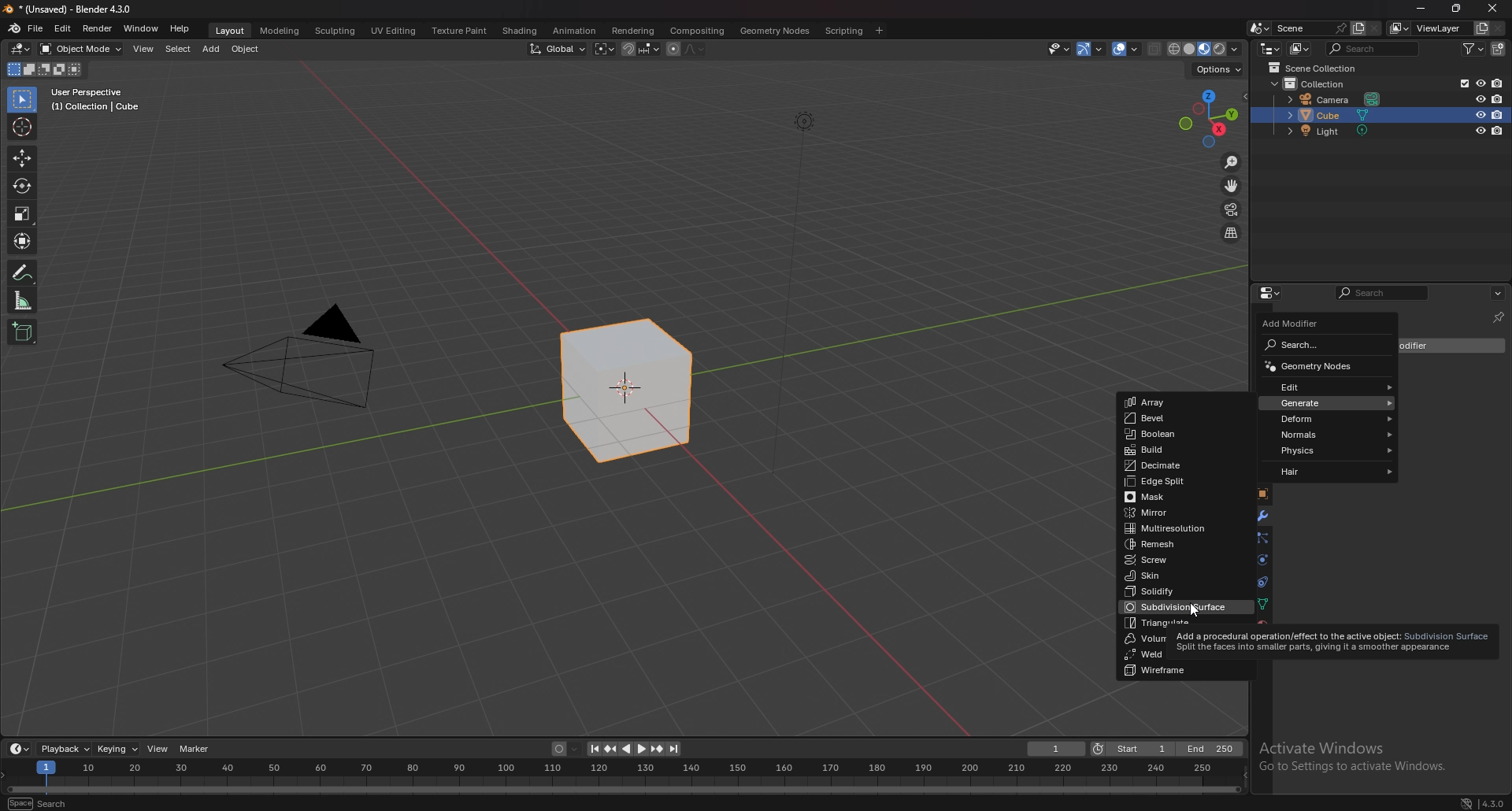 The width and height of the screenshot is (1512, 811). Describe the element at coordinates (557, 49) in the screenshot. I see `transform orientation` at that location.